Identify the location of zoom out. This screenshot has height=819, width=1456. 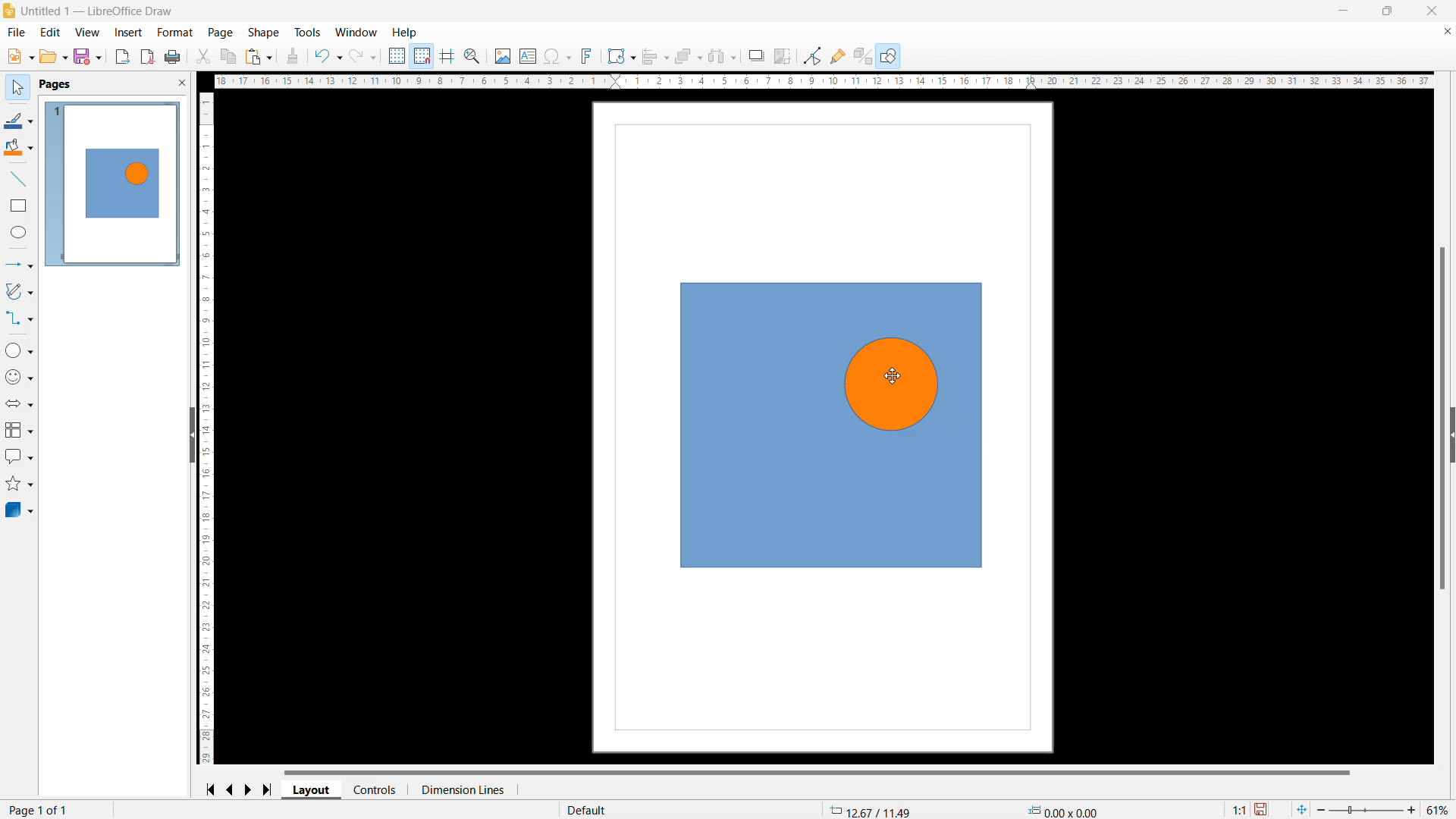
(1322, 809).